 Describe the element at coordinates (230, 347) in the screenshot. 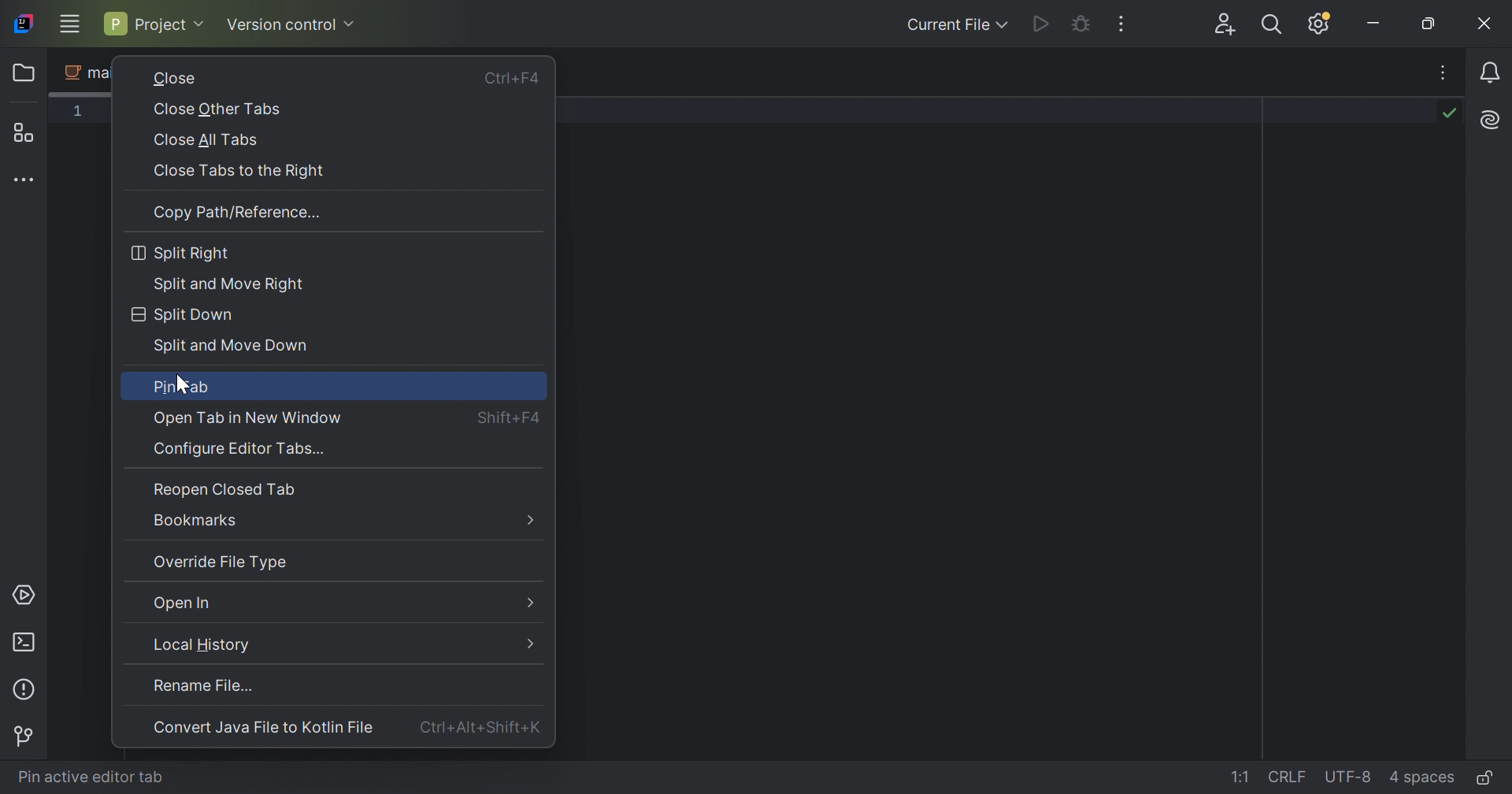

I see `Split and move down` at that location.